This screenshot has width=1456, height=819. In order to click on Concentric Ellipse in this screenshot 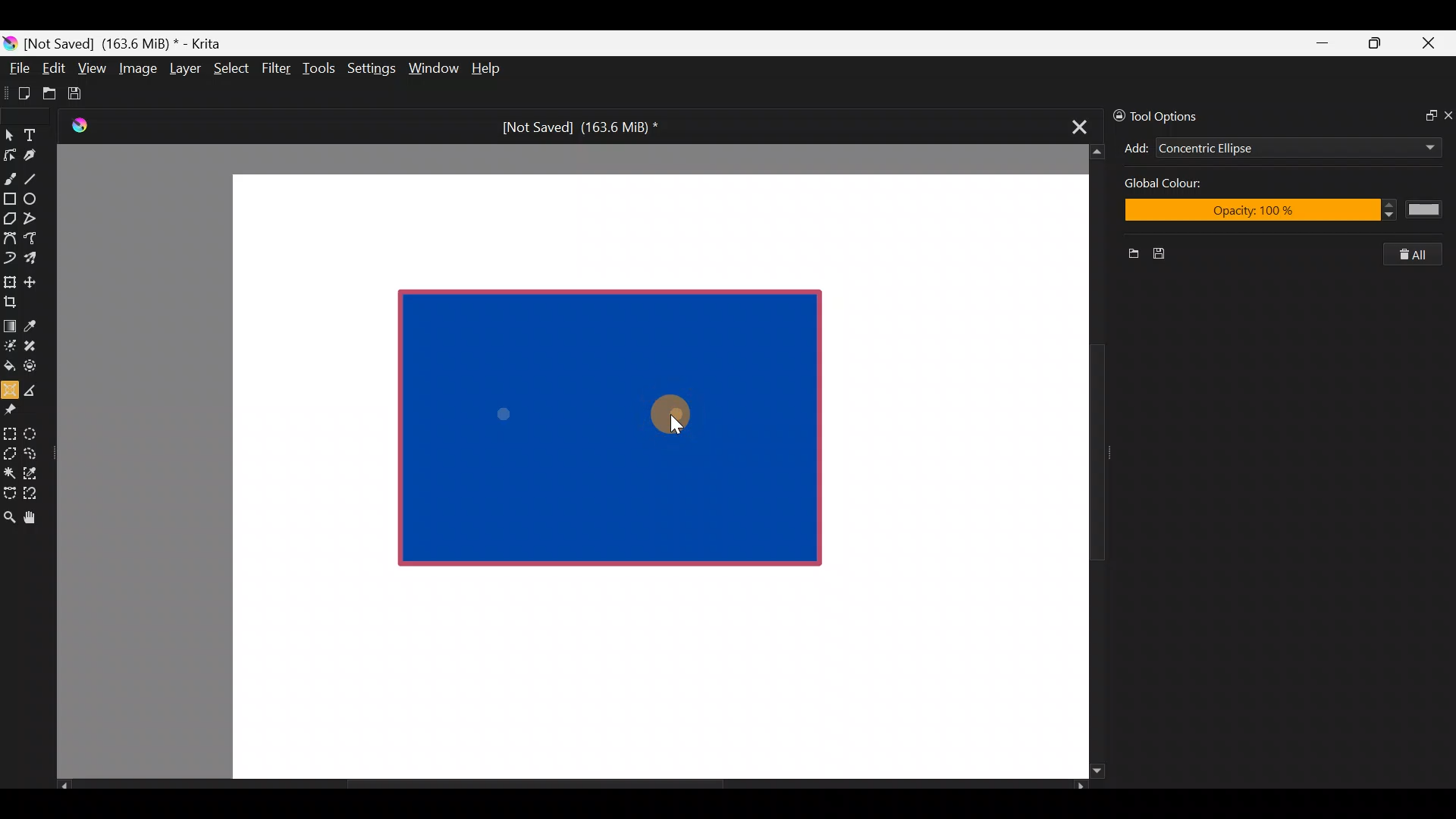, I will do `click(1253, 149)`.